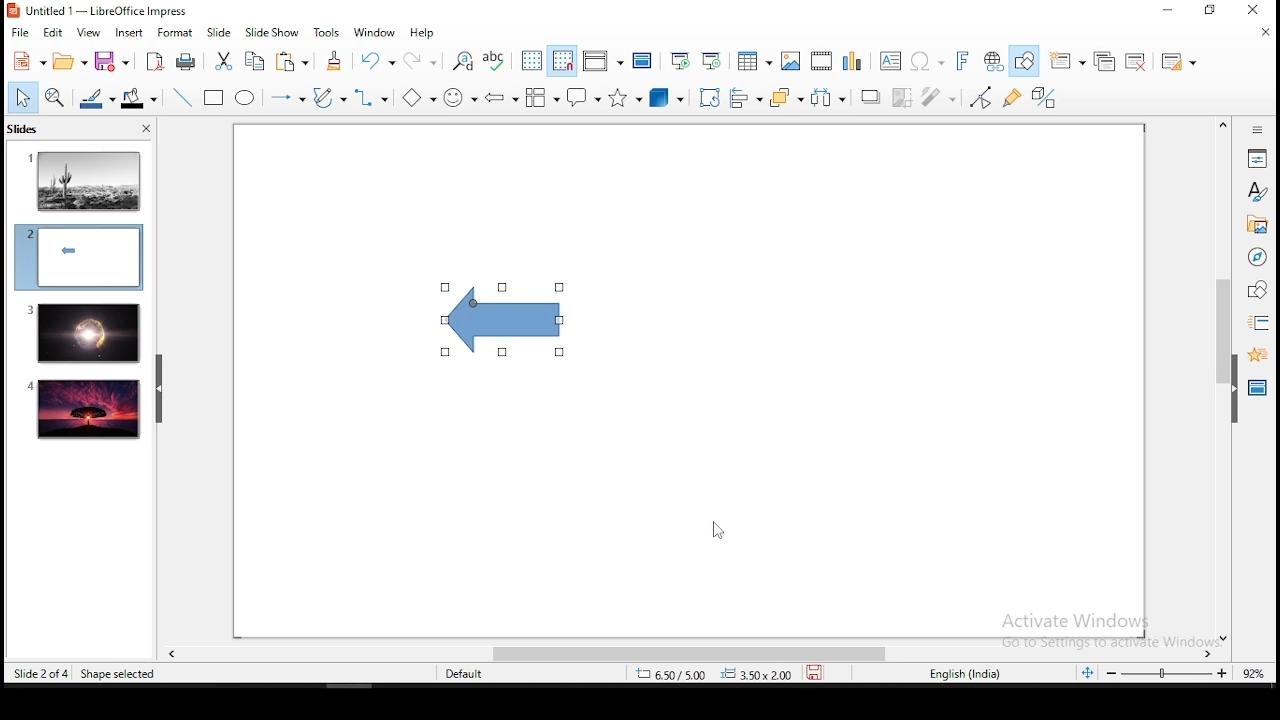 The height and width of the screenshot is (720, 1280). I want to click on 3D objects, so click(664, 99).